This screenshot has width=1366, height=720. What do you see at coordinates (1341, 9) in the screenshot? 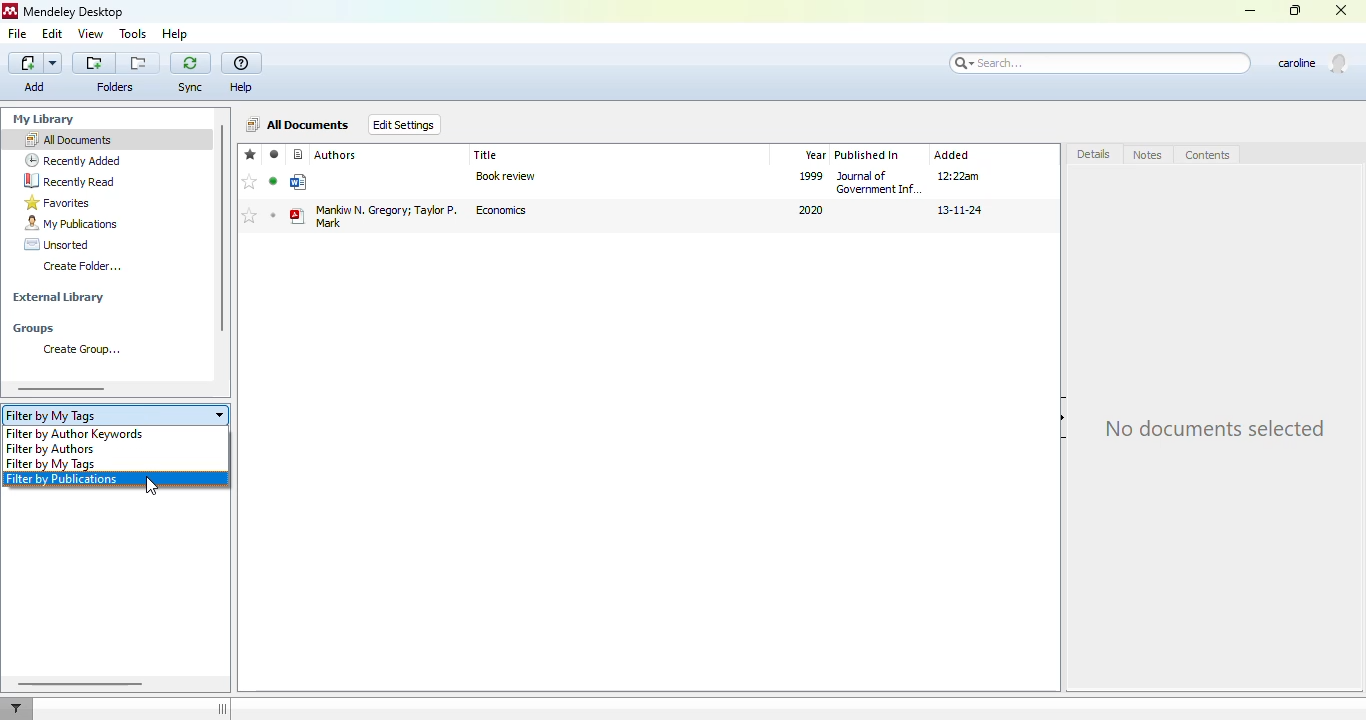
I see `close` at bounding box center [1341, 9].